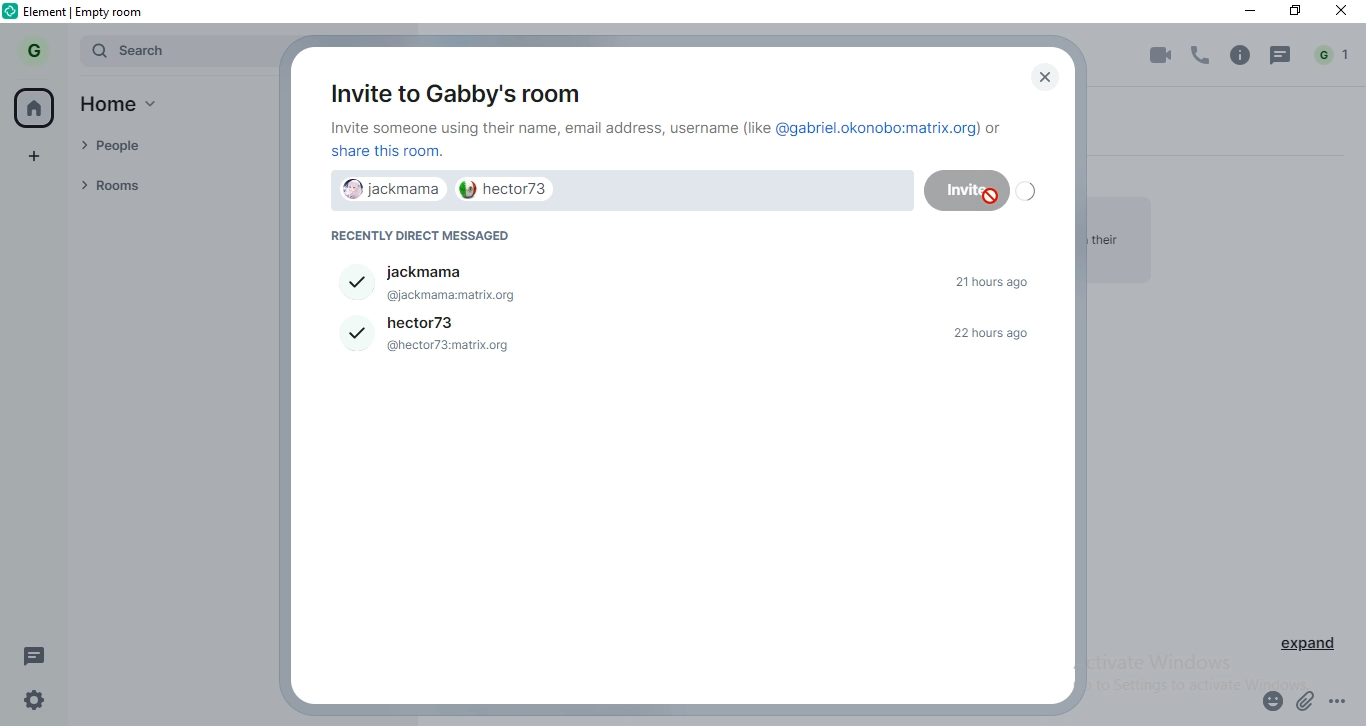 This screenshot has height=726, width=1366. Describe the element at coordinates (29, 704) in the screenshot. I see `settings` at that location.